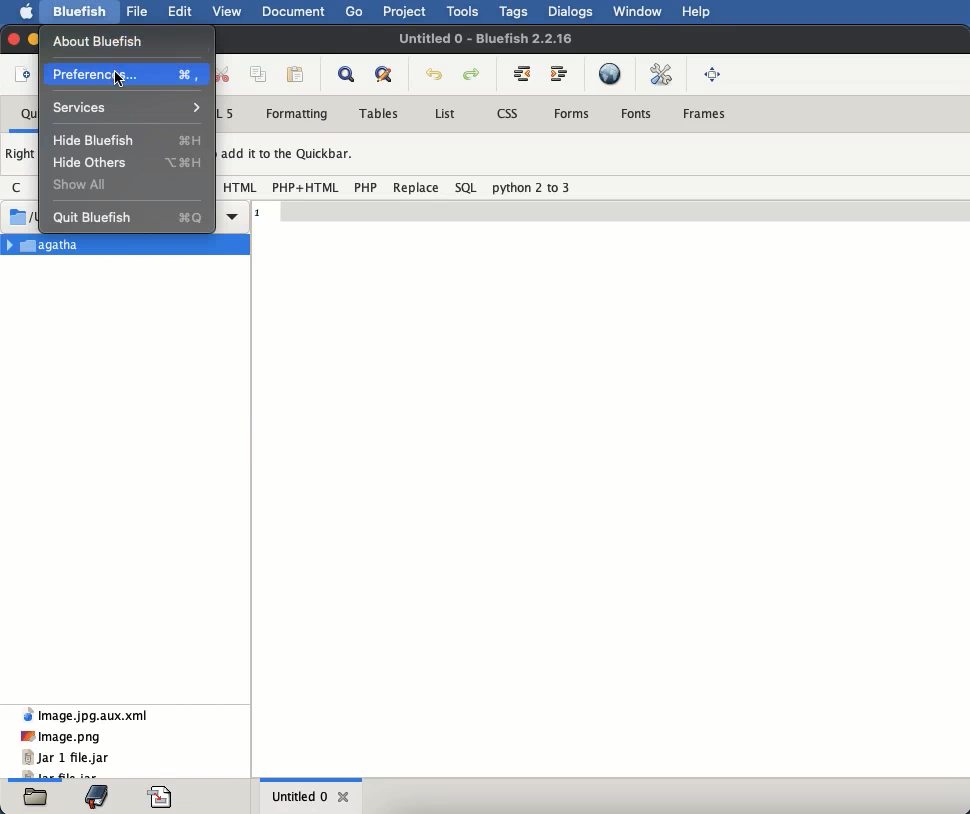 The image size is (970, 814). I want to click on formatting, so click(296, 114).